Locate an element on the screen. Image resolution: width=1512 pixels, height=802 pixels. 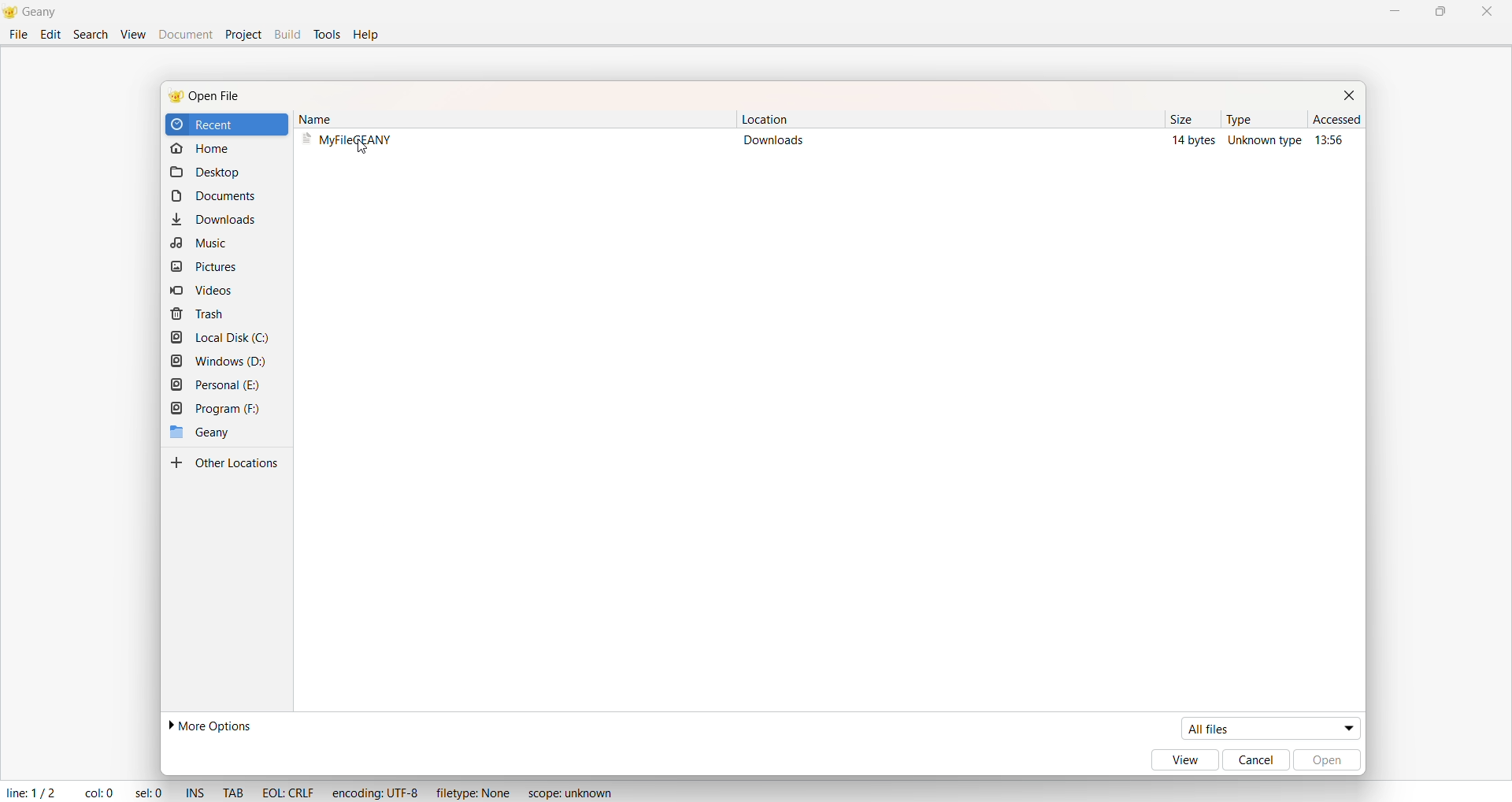
Ecoding: UTF - 8 is located at coordinates (375, 790).